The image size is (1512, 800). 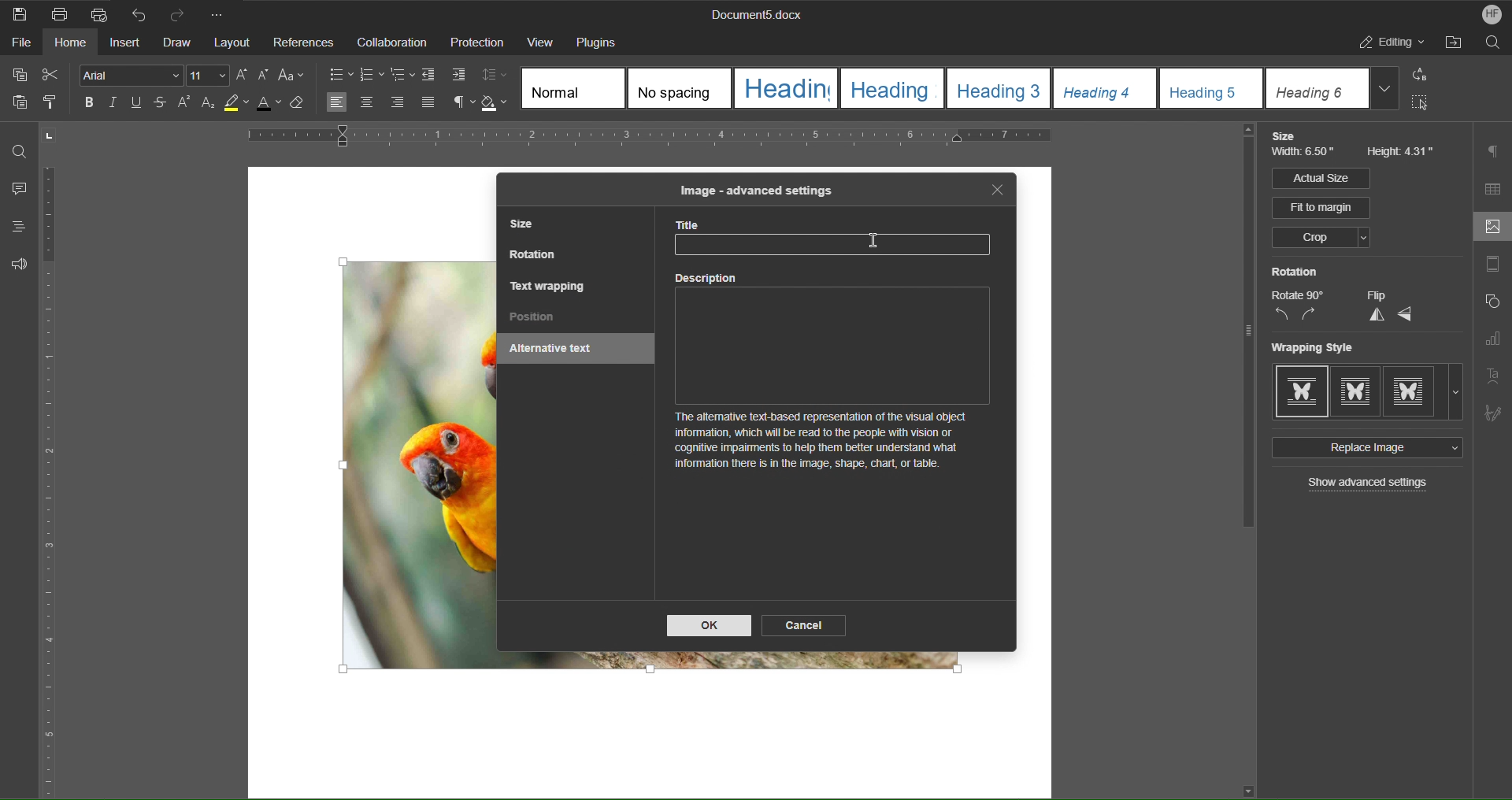 I want to click on Increase Size, so click(x=244, y=75).